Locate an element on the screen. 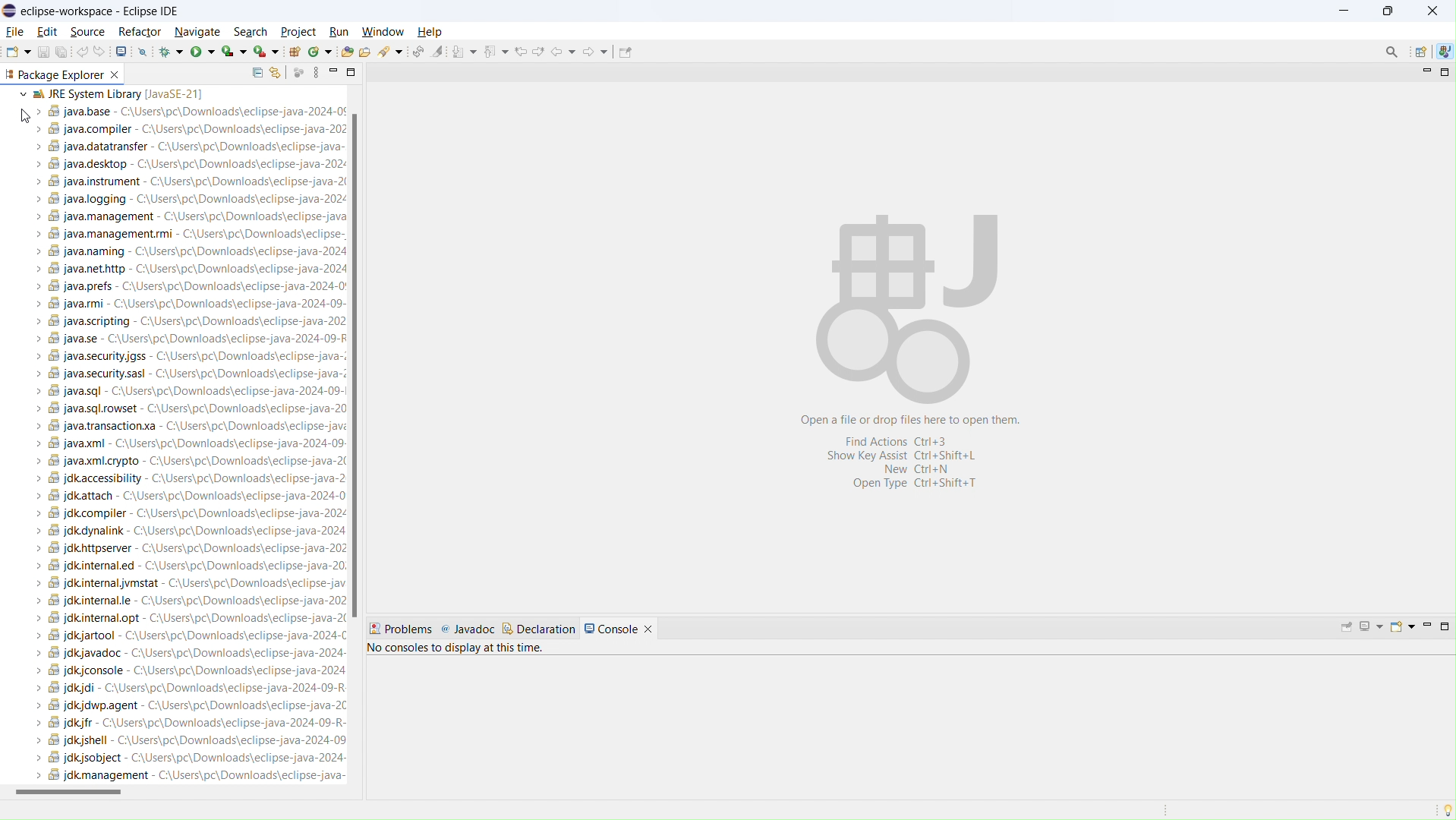 This screenshot has width=1456, height=820. edit is located at coordinates (48, 32).